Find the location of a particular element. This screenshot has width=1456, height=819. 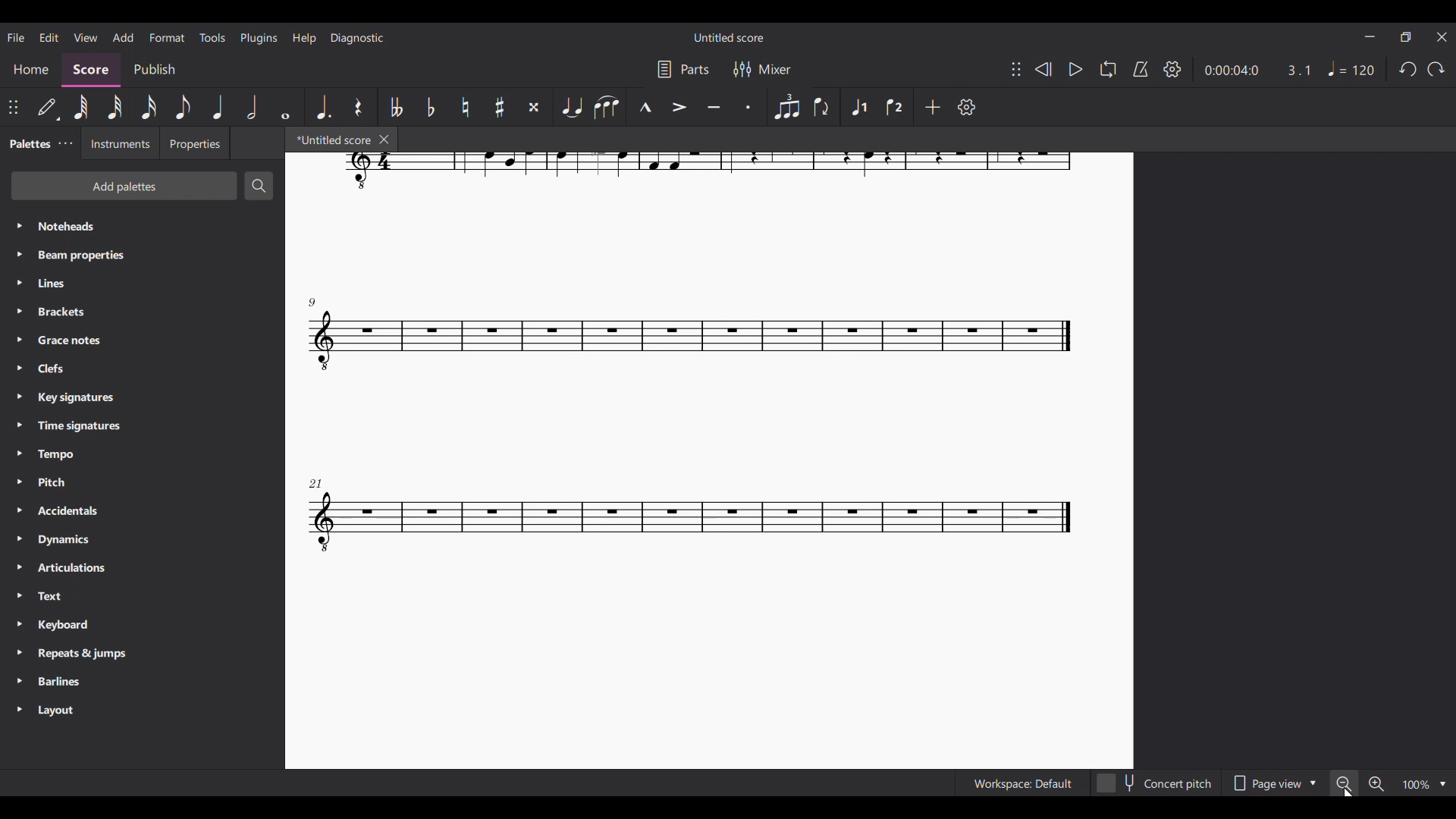

Mixer settings is located at coordinates (763, 69).